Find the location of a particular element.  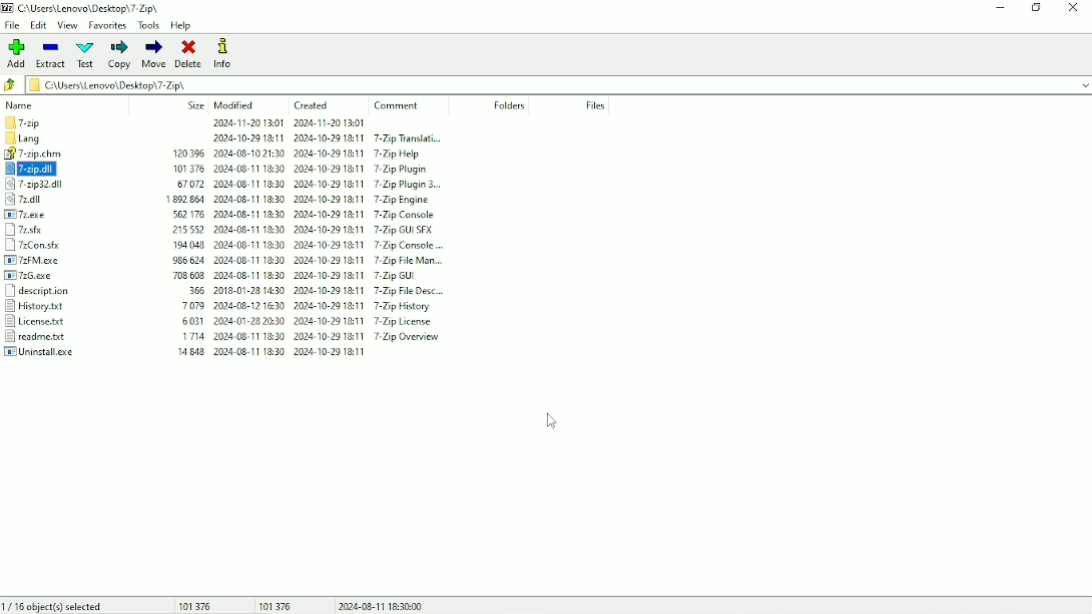

705008 2024-08-717230 Z024-70-237211 T-Zpoul is located at coordinates (310, 278).